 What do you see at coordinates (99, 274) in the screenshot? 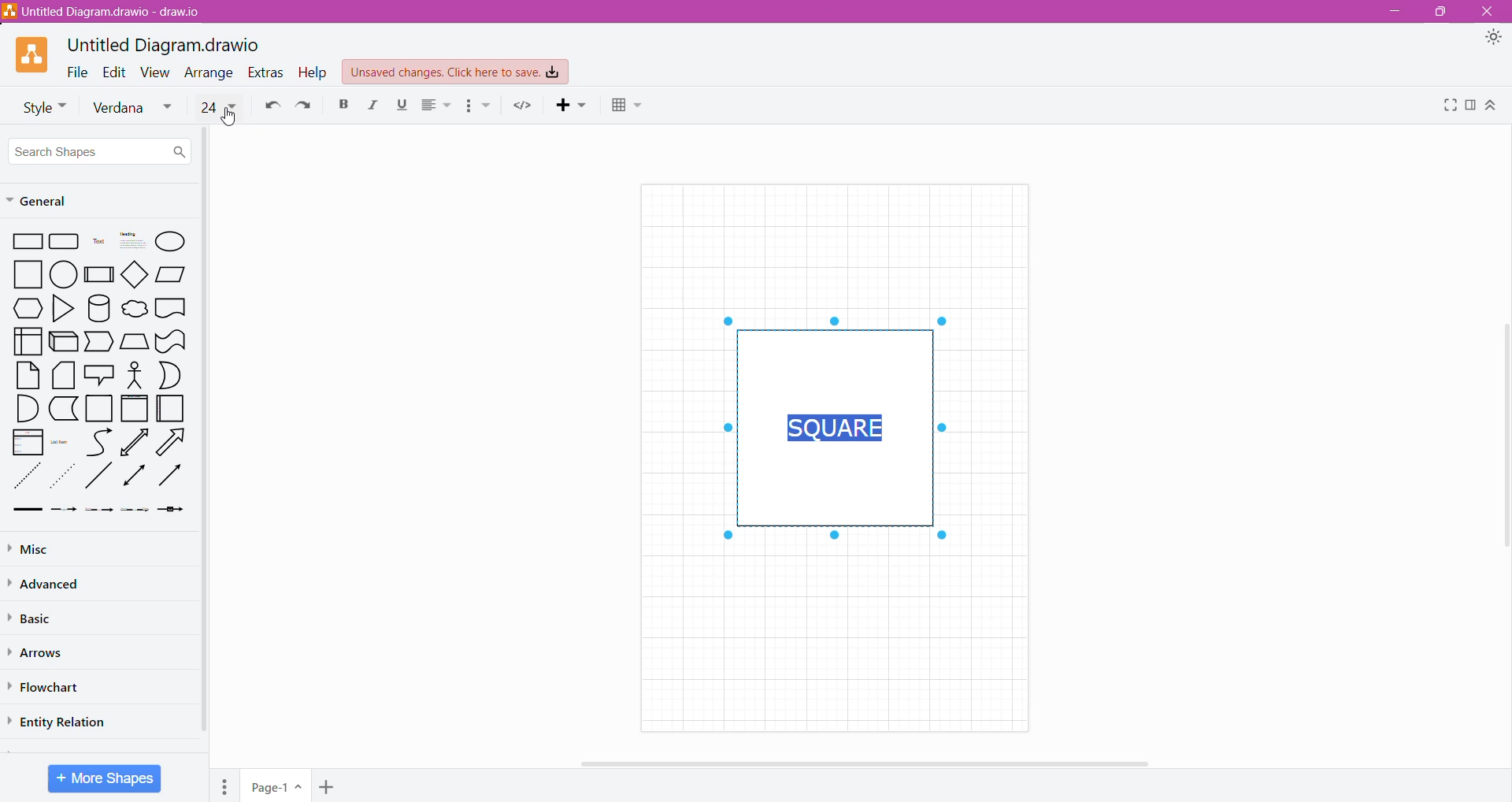
I see `Subprocess` at bounding box center [99, 274].